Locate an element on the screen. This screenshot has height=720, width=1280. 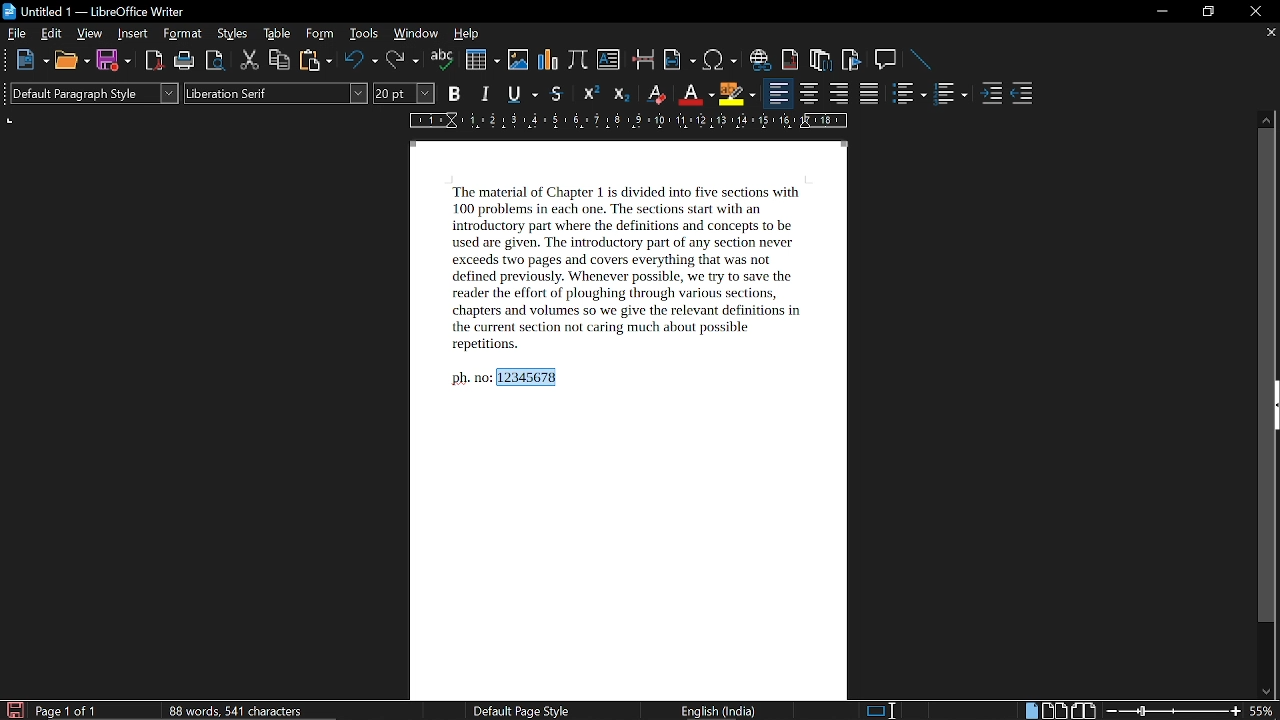
save is located at coordinates (113, 60).